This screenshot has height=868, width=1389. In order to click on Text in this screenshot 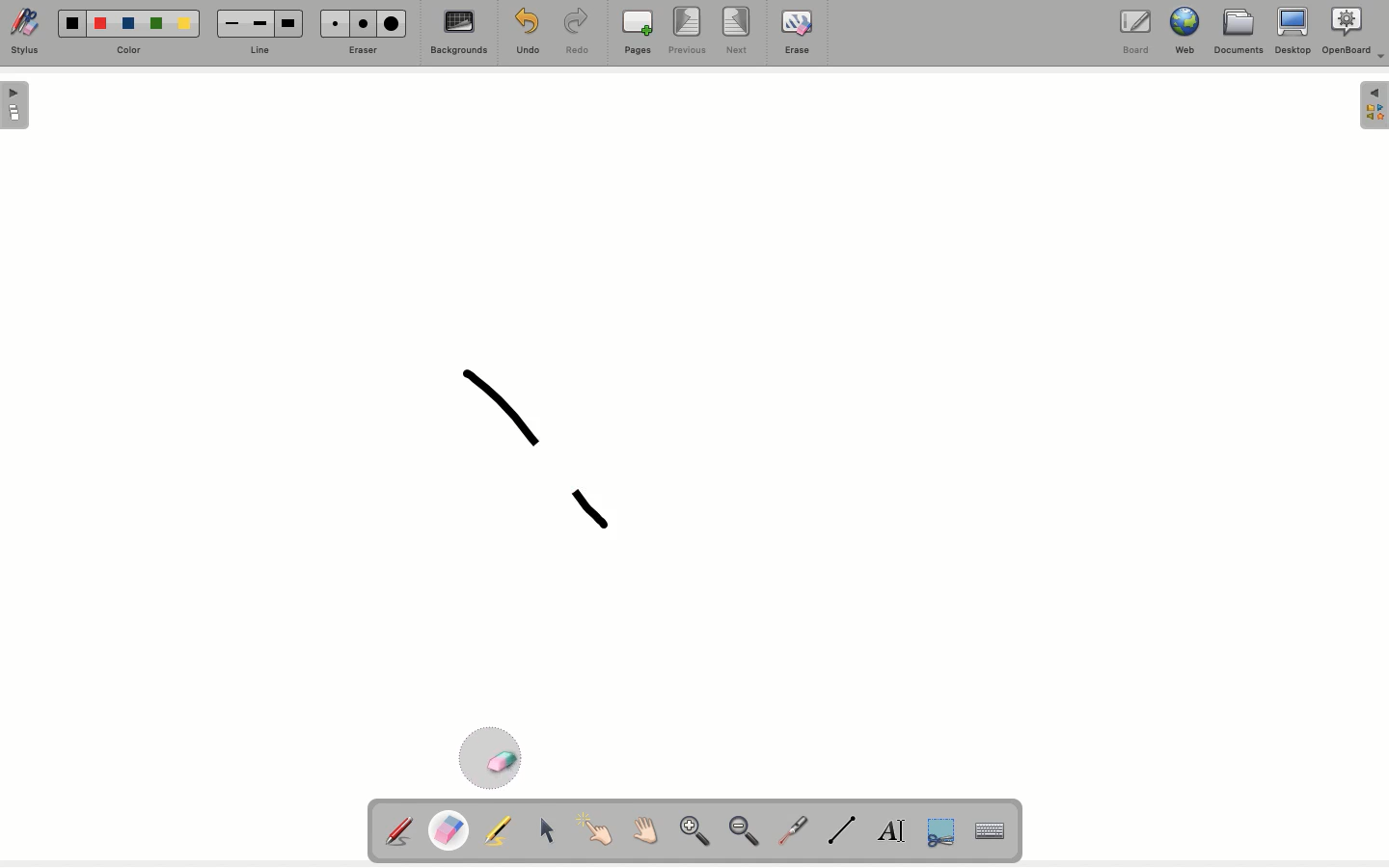, I will do `click(893, 830)`.